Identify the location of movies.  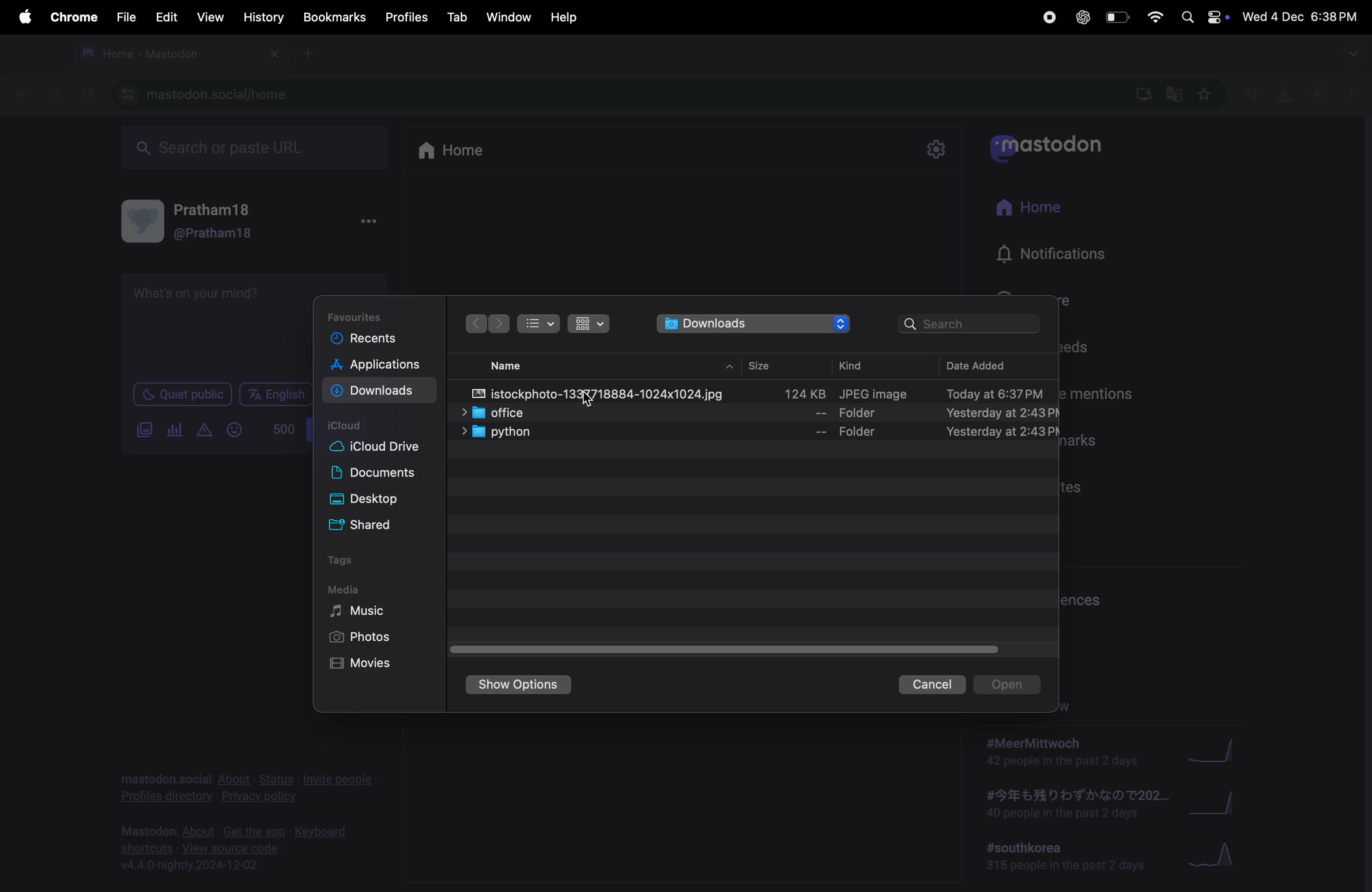
(364, 665).